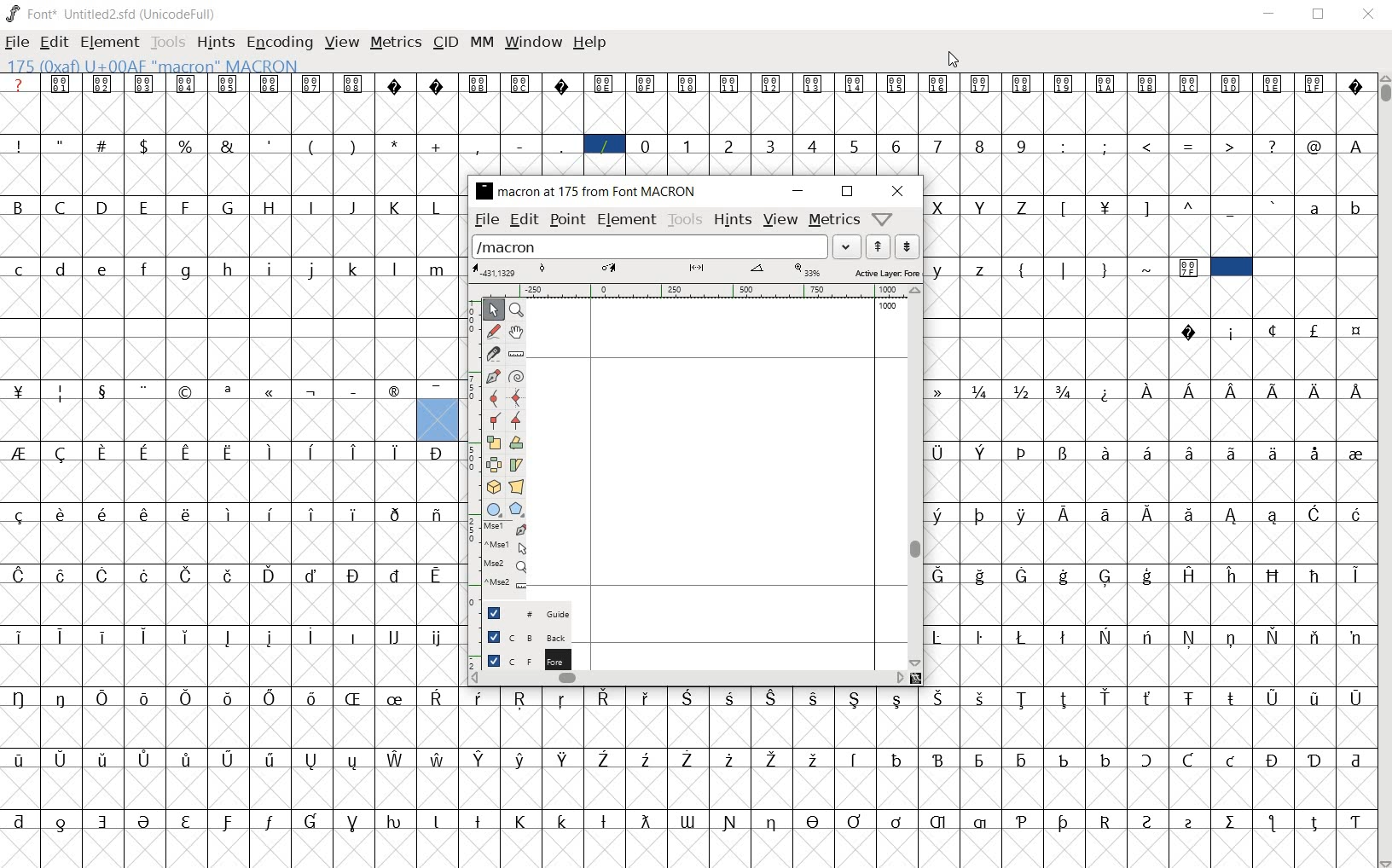 Image resolution: width=1392 pixels, height=868 pixels. What do you see at coordinates (1191, 638) in the screenshot?
I see `Symbol` at bounding box center [1191, 638].